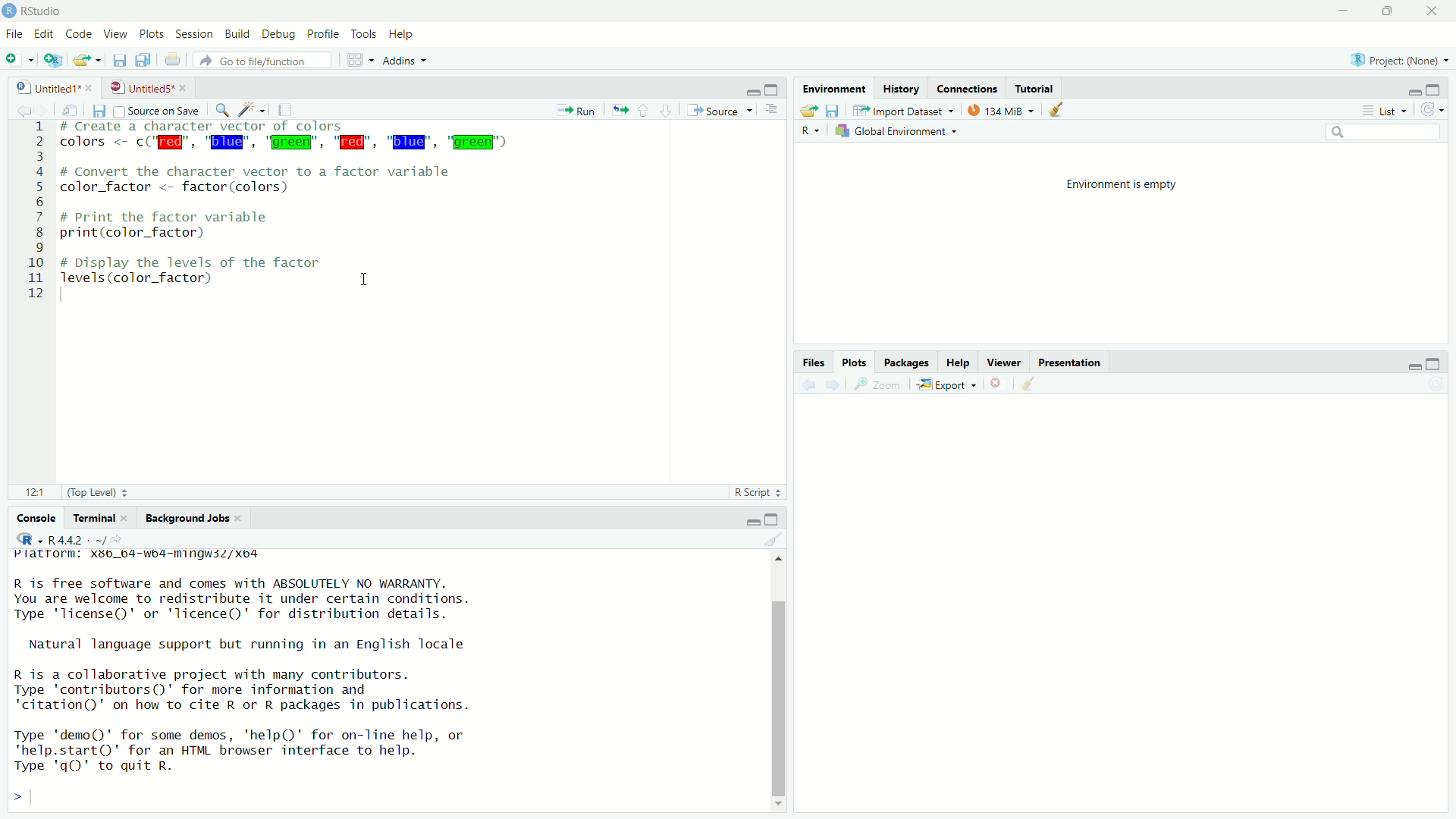  Describe the element at coordinates (749, 89) in the screenshot. I see `minimize` at that location.